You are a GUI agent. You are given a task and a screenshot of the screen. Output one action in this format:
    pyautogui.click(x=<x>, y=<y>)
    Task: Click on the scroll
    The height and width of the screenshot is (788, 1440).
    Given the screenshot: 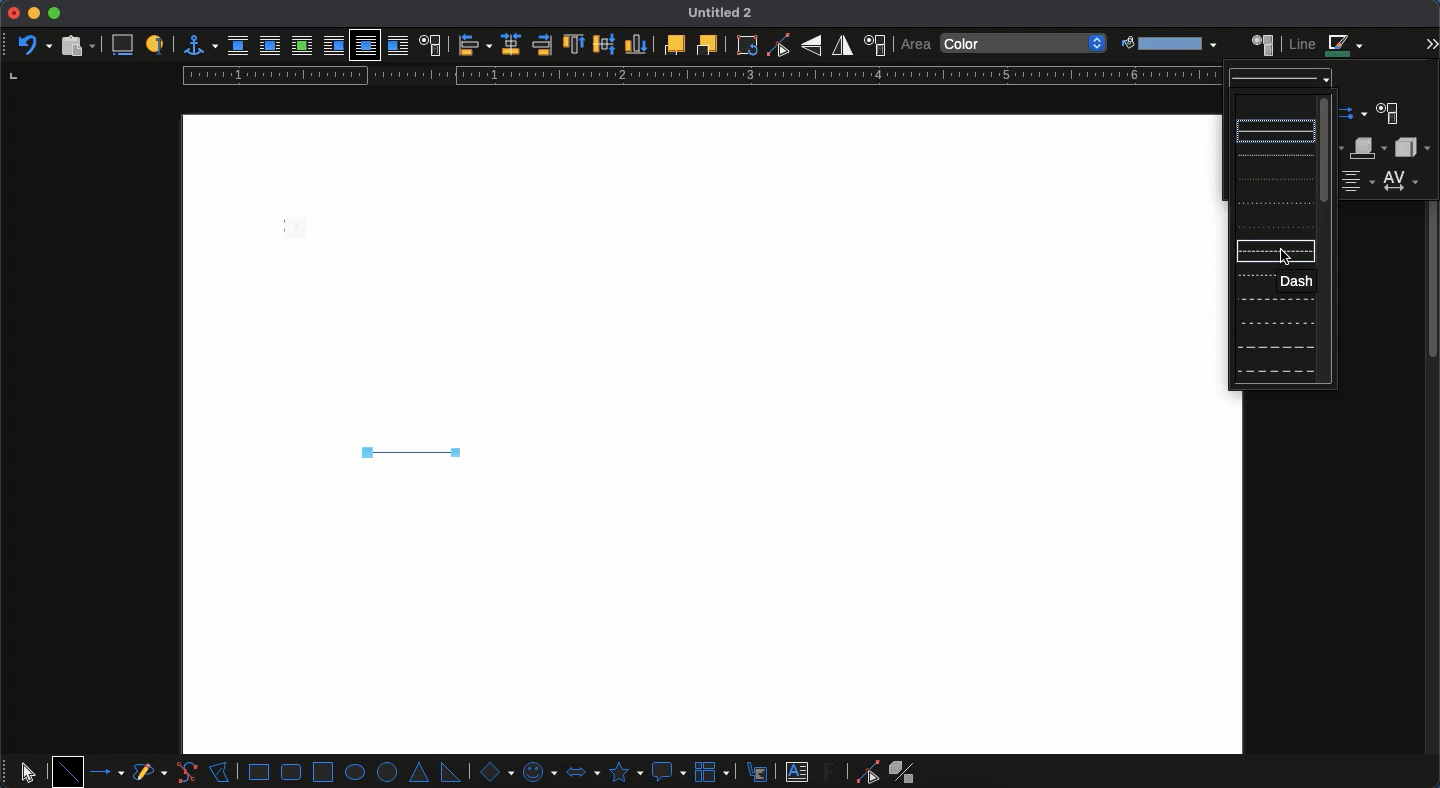 What is the action you would take?
    pyautogui.click(x=1433, y=434)
    